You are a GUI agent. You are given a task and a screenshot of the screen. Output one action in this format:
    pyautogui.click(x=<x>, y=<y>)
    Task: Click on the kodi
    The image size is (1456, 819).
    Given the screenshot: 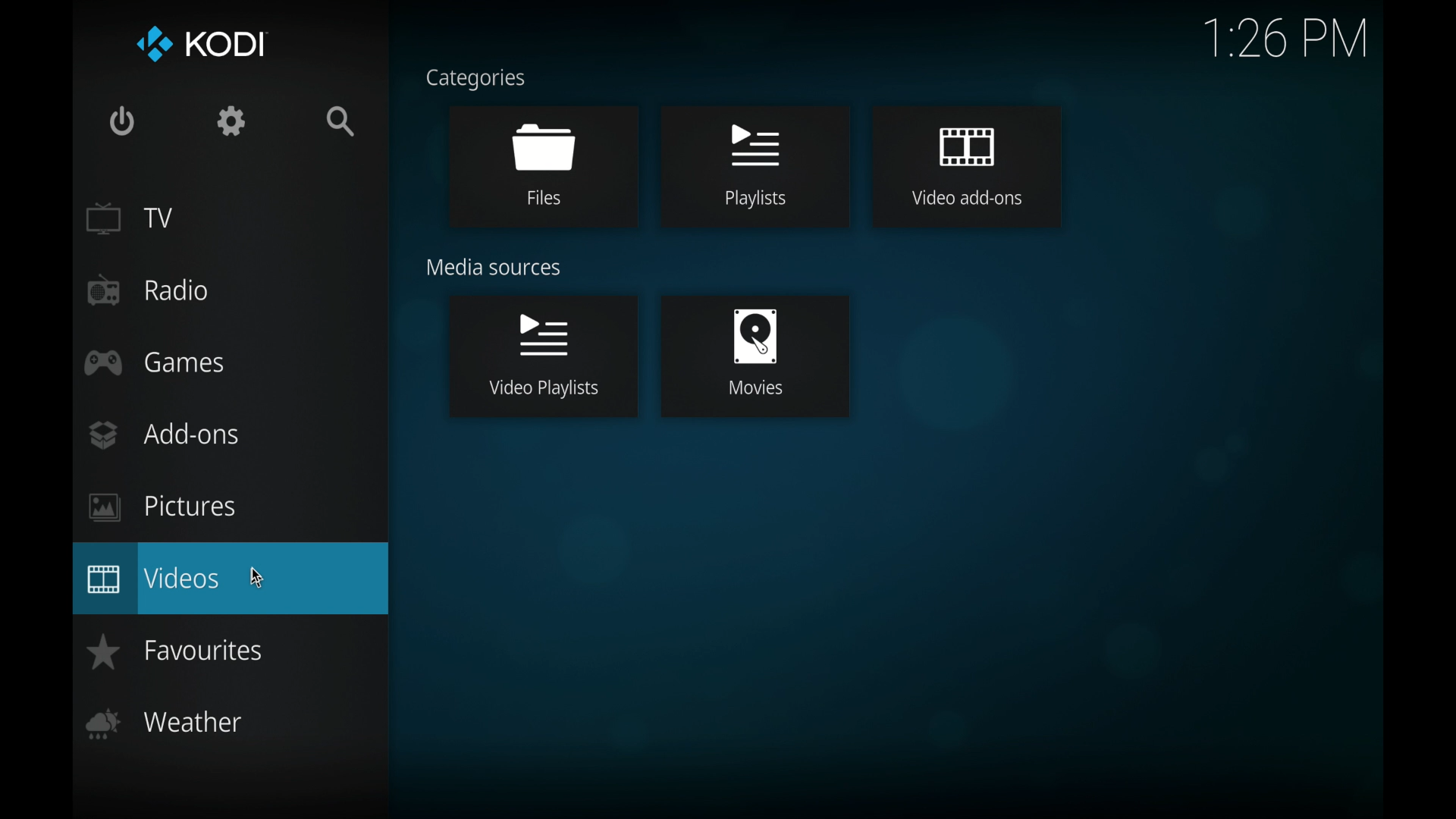 What is the action you would take?
    pyautogui.click(x=200, y=43)
    